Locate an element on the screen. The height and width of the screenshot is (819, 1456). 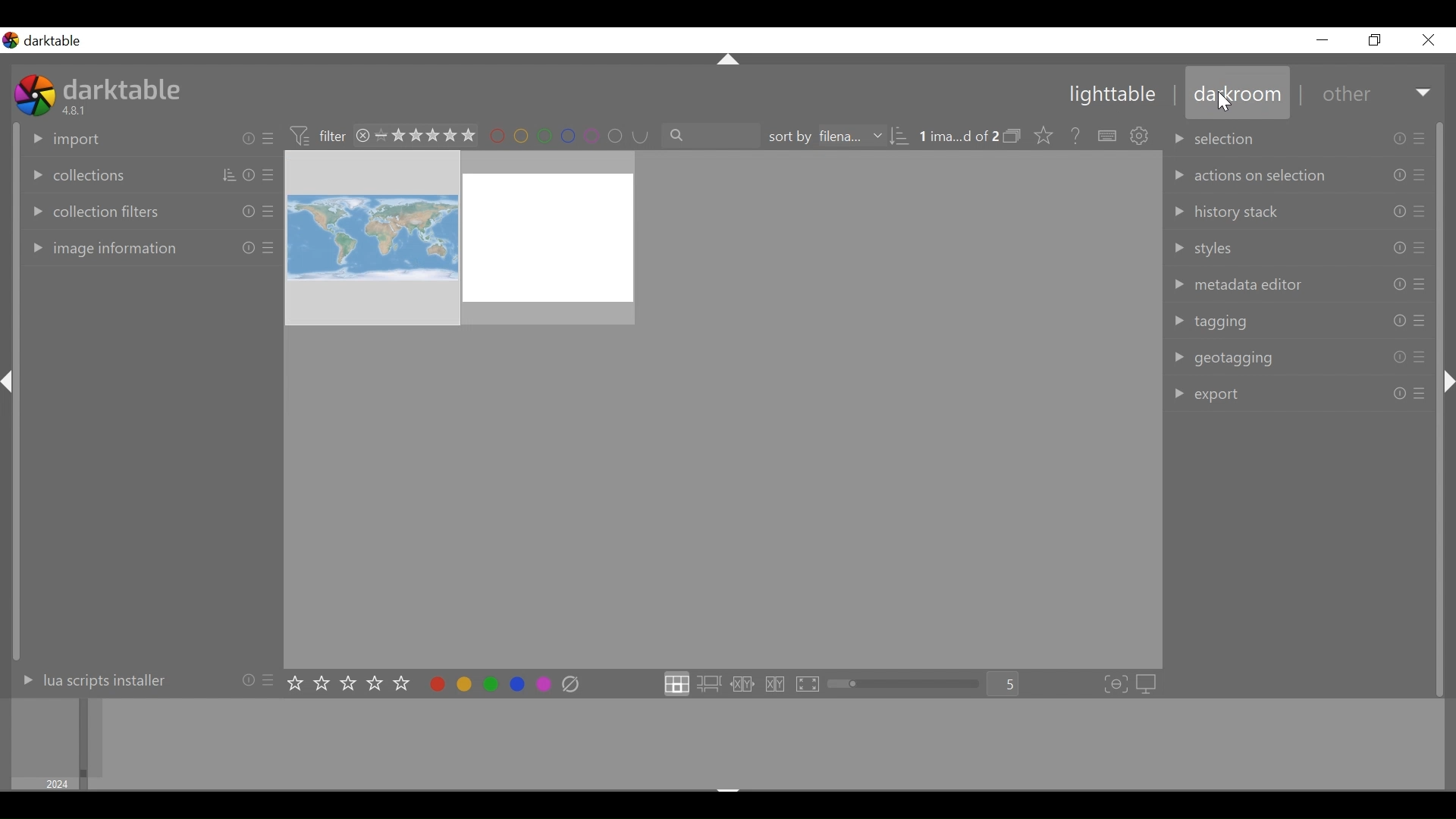
toggle focus-peaking mode is located at coordinates (1116, 684).